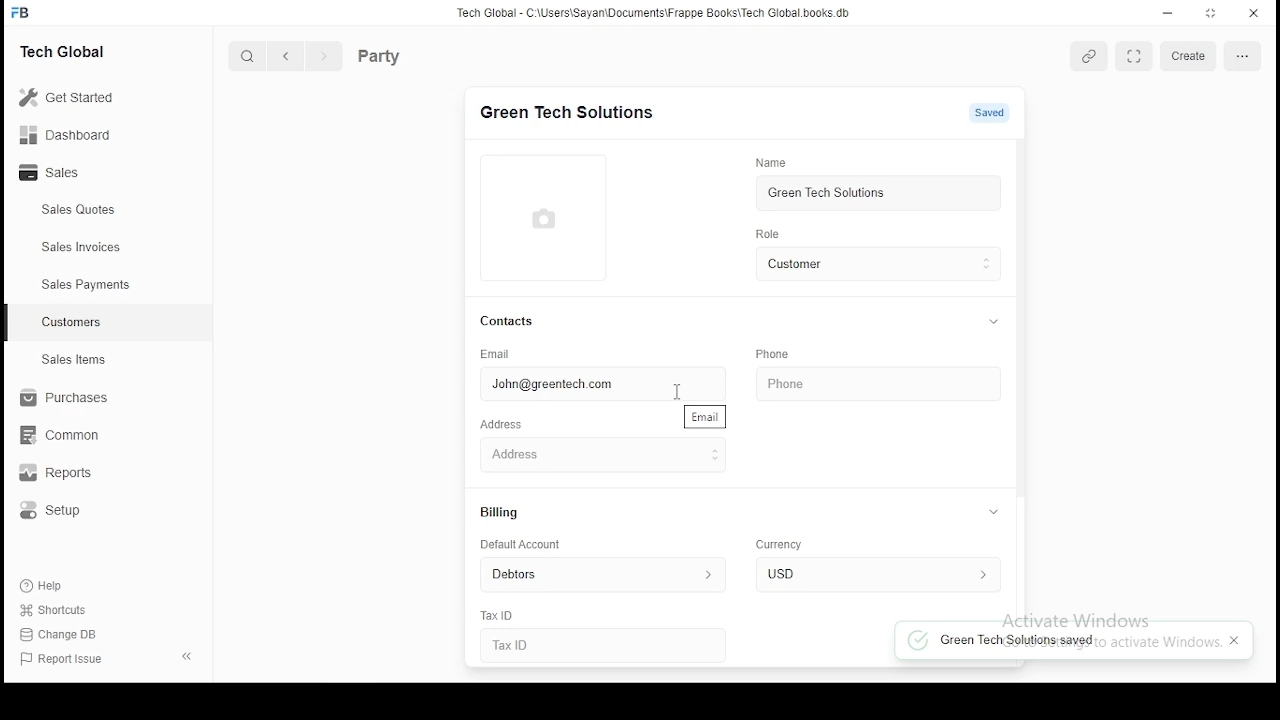 This screenshot has width=1280, height=720. What do you see at coordinates (874, 263) in the screenshot?
I see `customer` at bounding box center [874, 263].